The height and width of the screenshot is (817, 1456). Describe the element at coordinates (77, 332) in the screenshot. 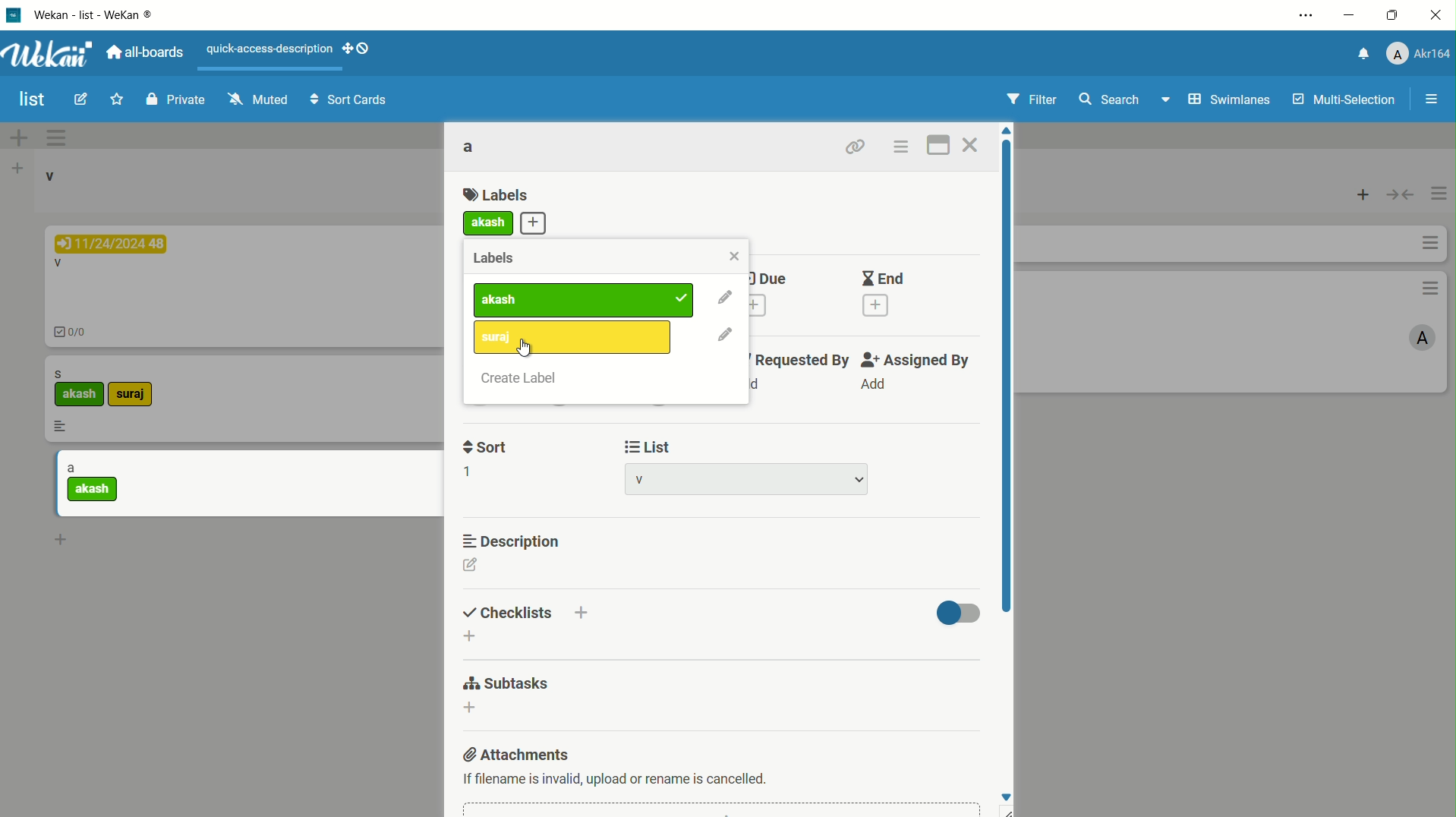

I see `0/0` at that location.